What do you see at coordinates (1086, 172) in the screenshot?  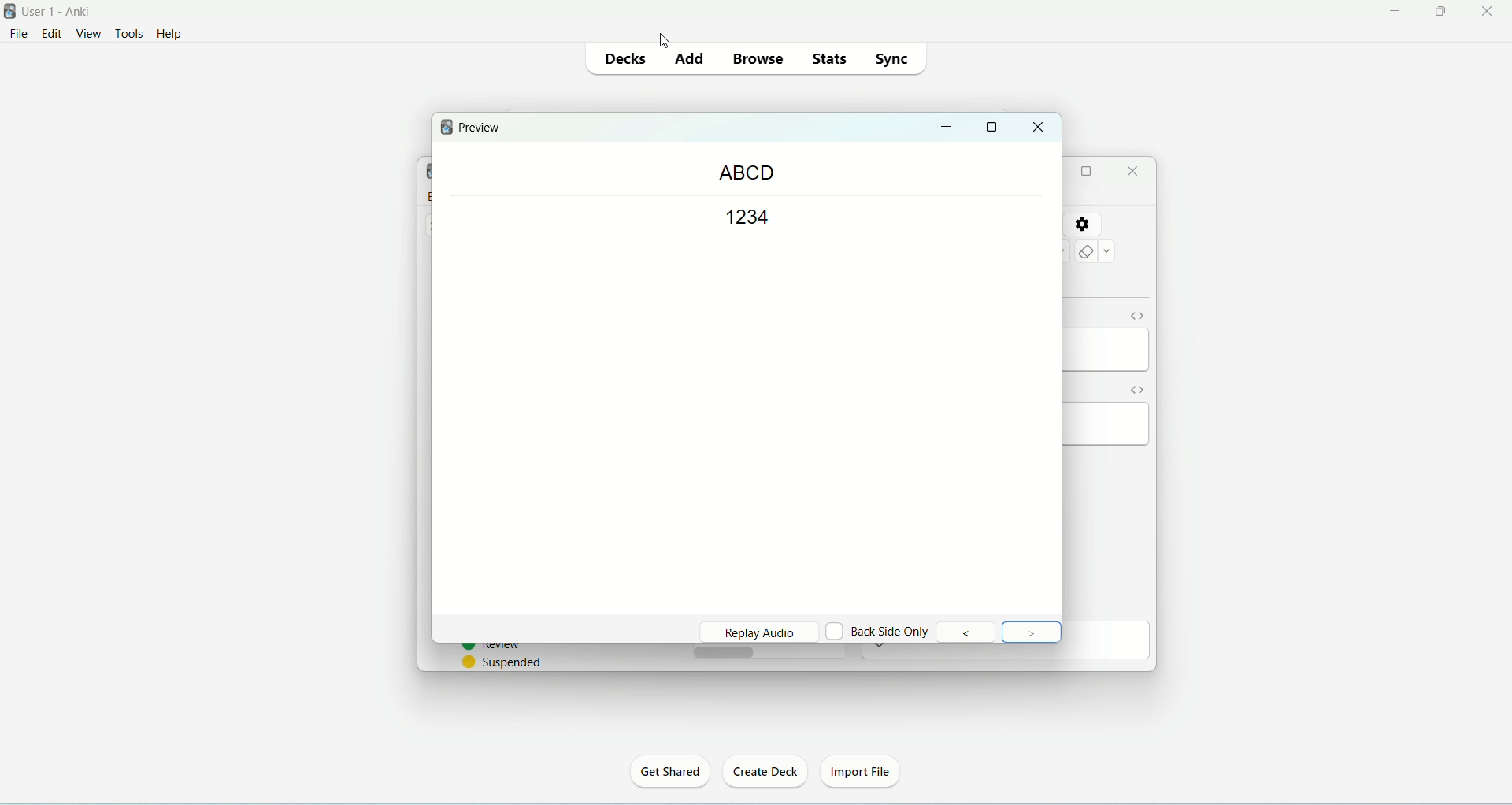 I see `maximize` at bounding box center [1086, 172].